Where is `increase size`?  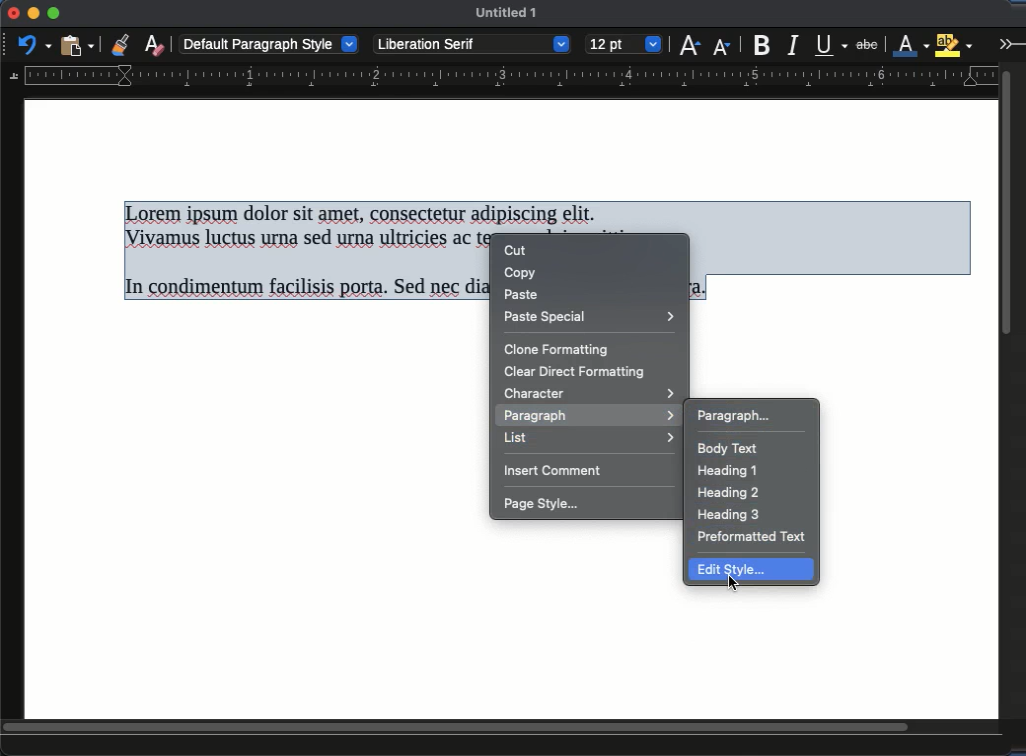 increase size is located at coordinates (689, 44).